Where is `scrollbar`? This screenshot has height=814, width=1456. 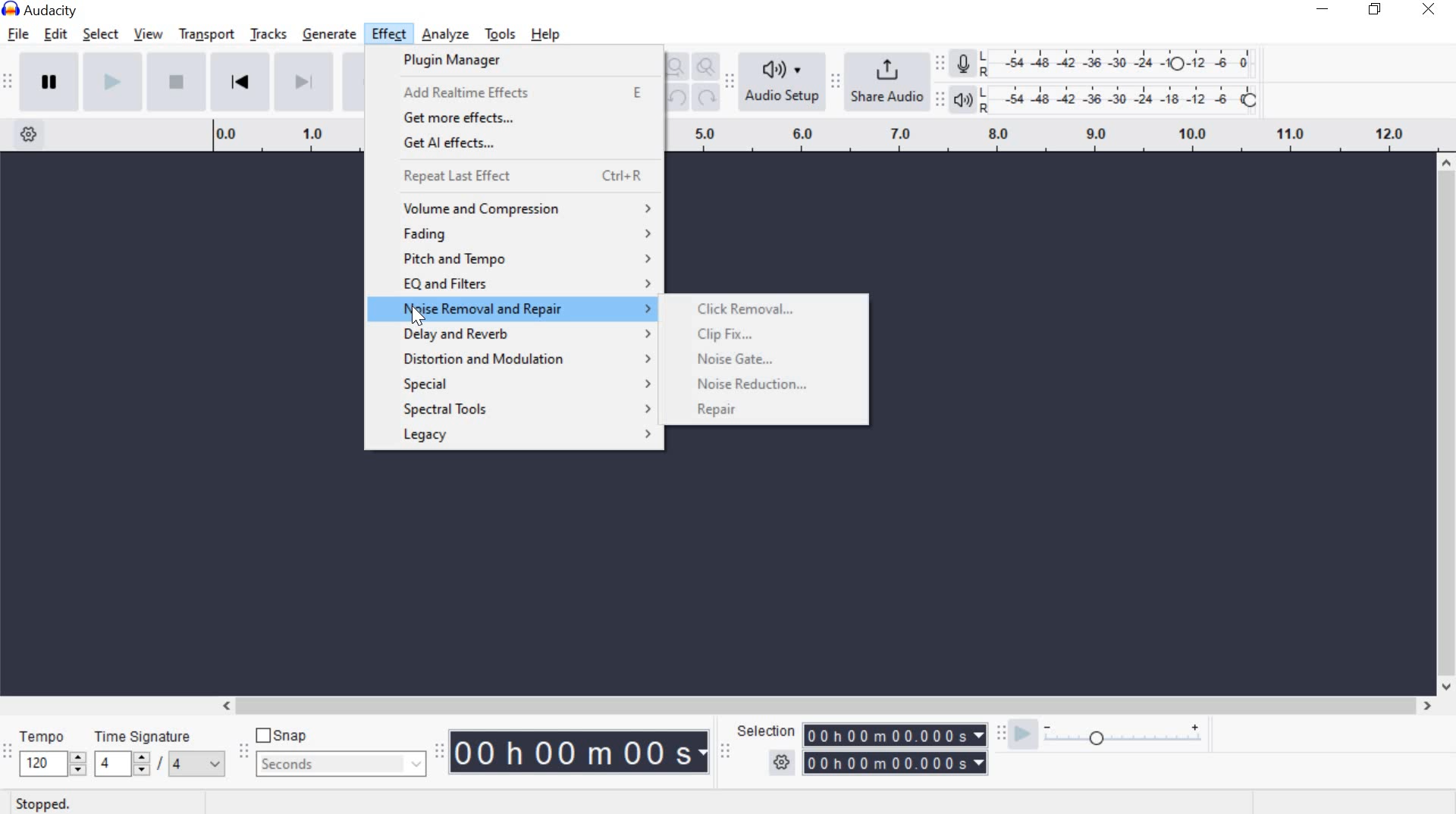
scrollbar is located at coordinates (1447, 424).